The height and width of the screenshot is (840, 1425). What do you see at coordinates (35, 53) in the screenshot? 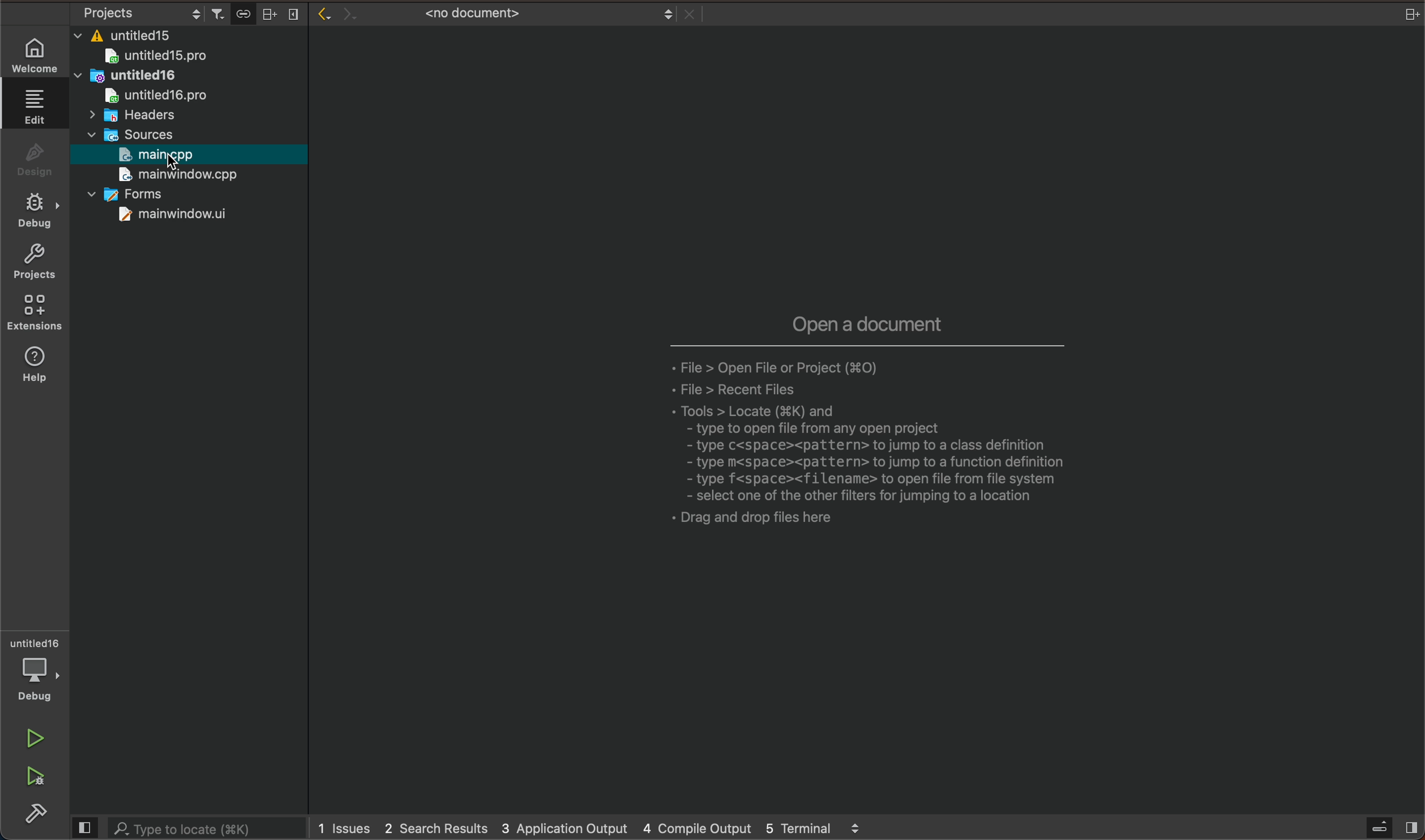
I see `WELCOME` at bounding box center [35, 53].